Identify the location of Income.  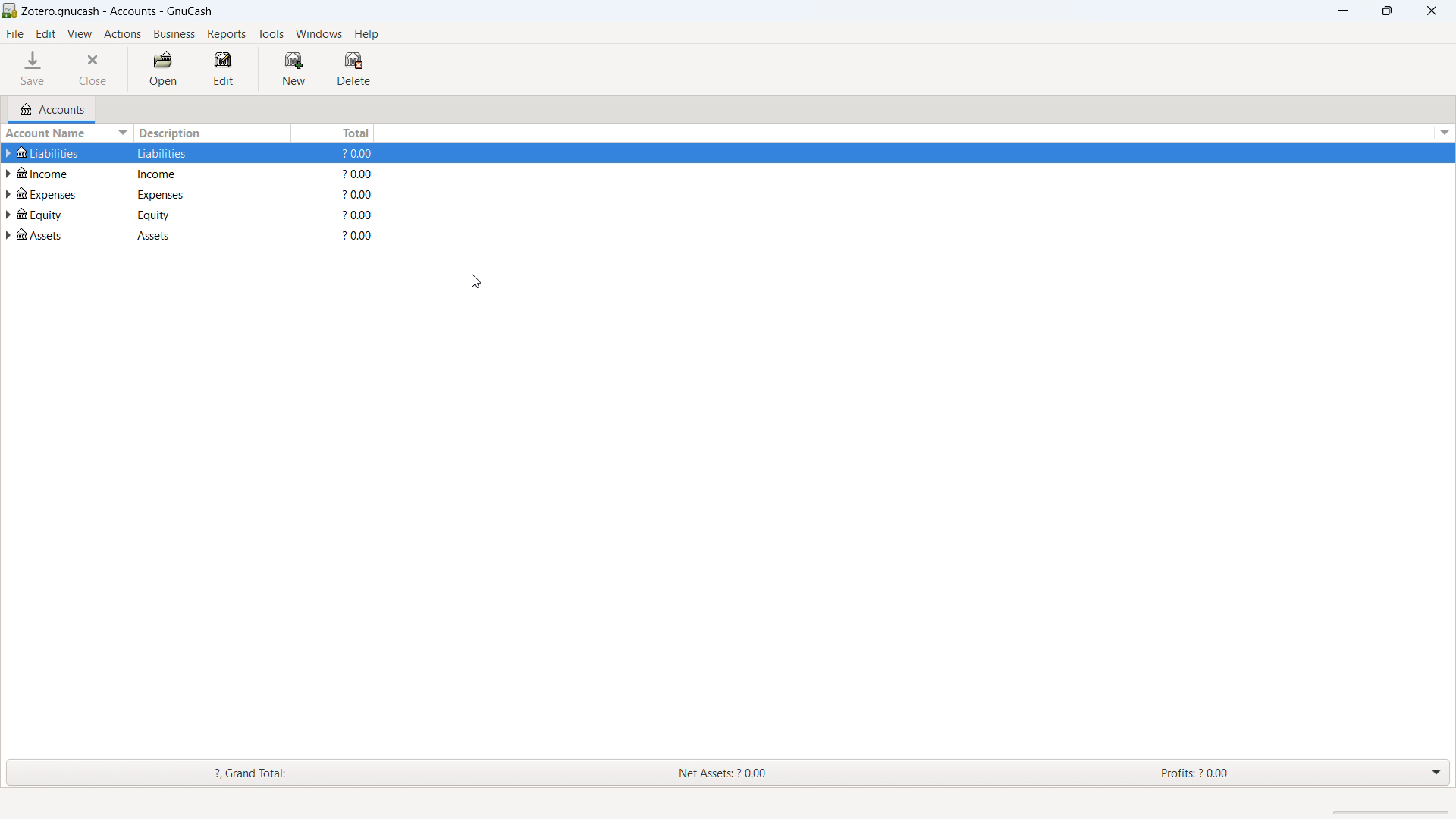
(174, 173).